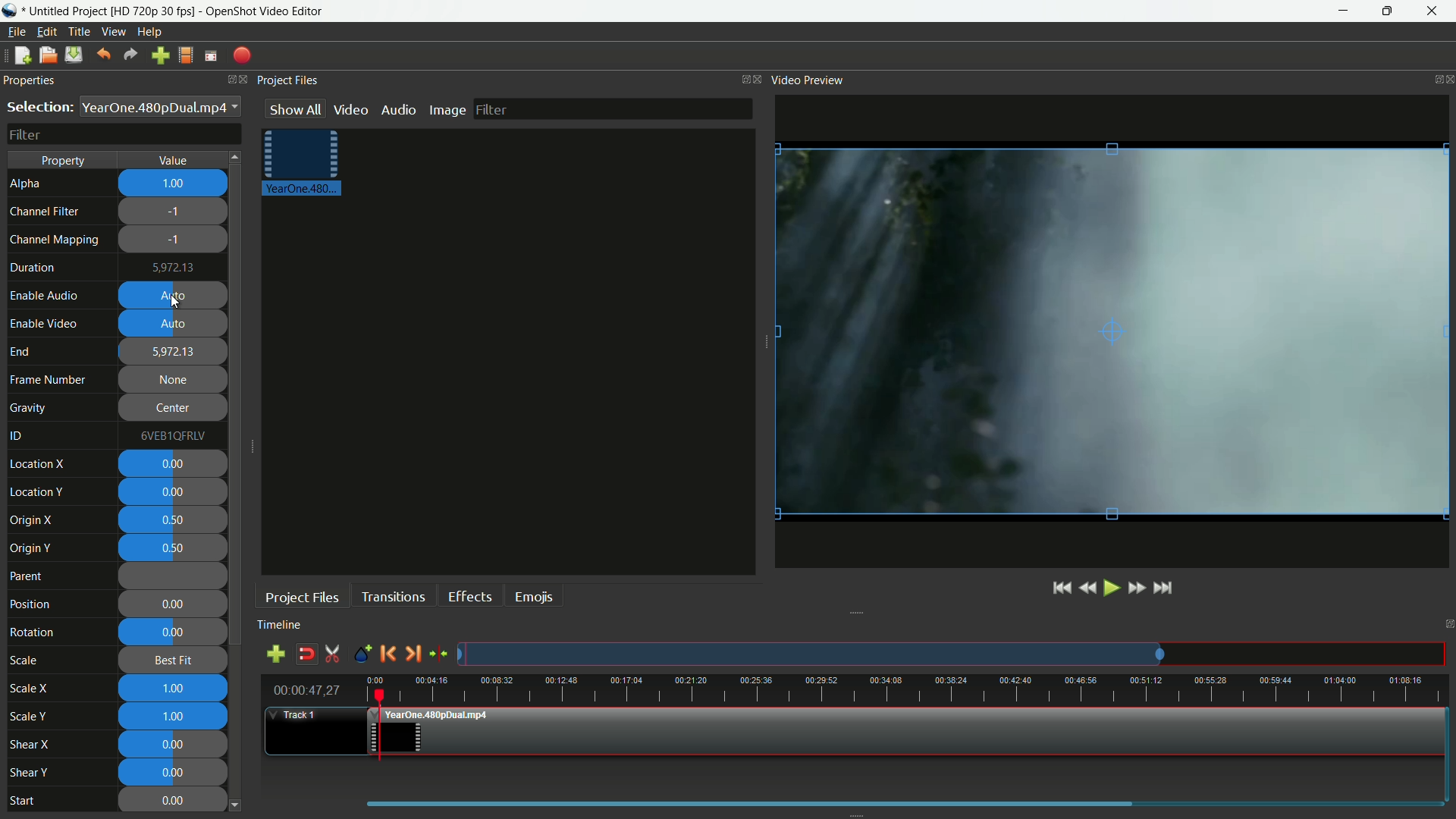  I want to click on best fit, so click(169, 661).